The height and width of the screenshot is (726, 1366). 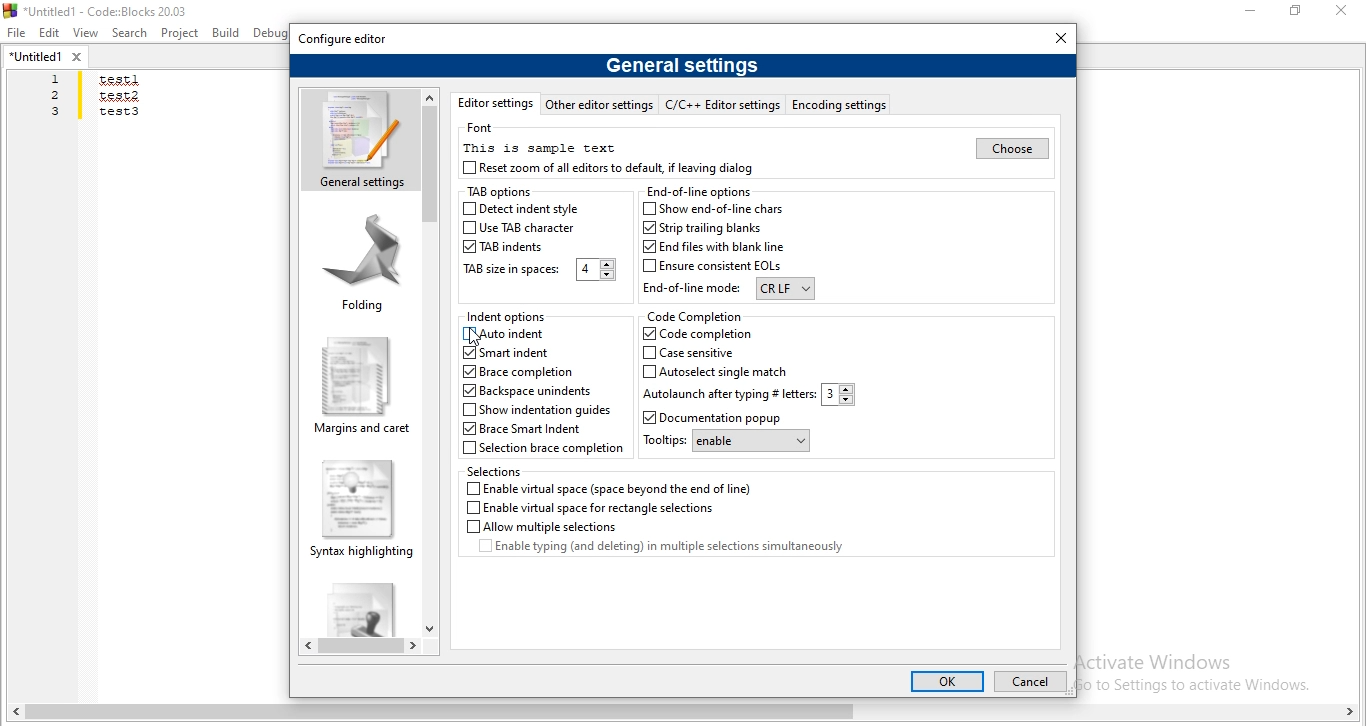 What do you see at coordinates (540, 526) in the screenshot?
I see `Allow multiple selections` at bounding box center [540, 526].